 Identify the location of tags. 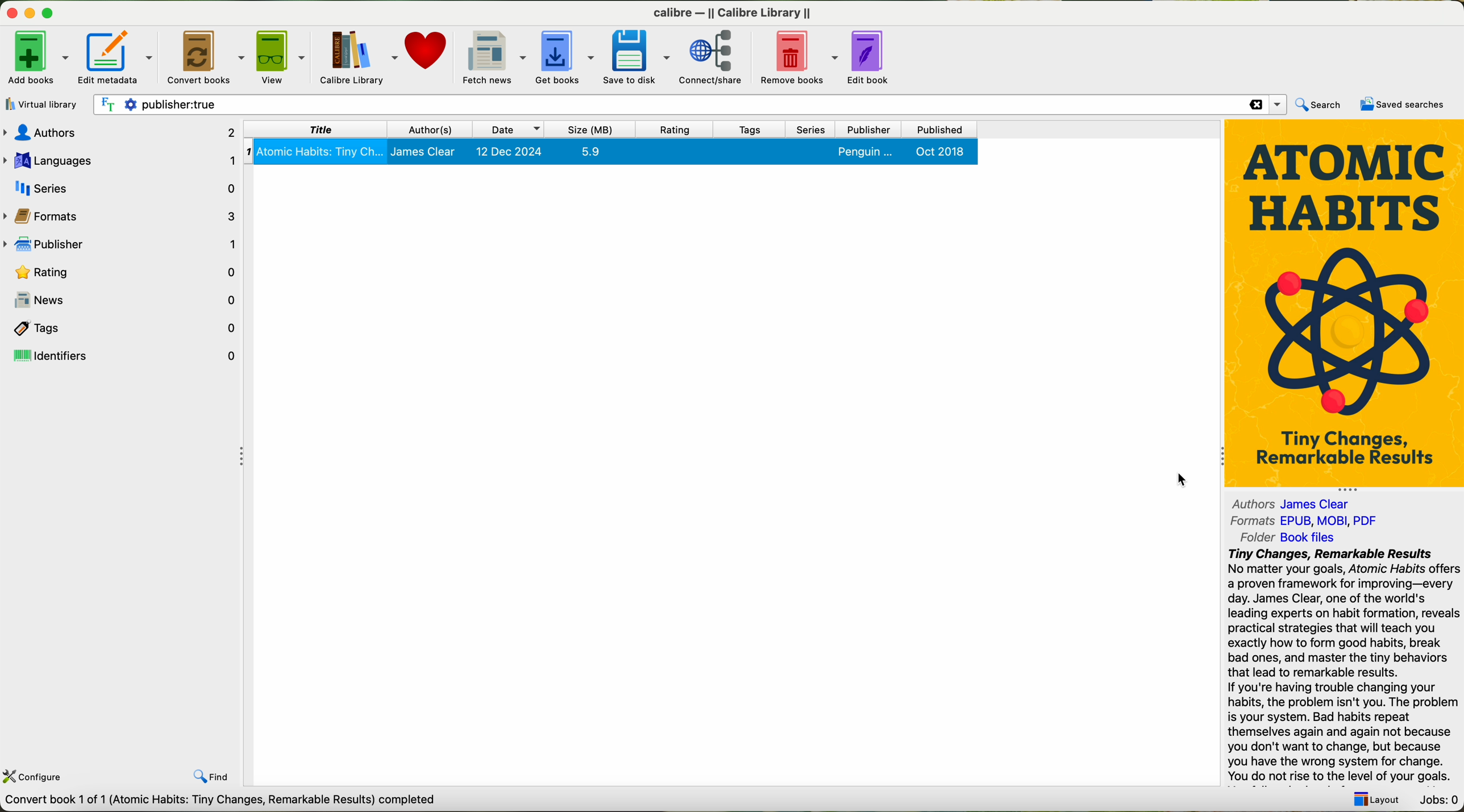
(124, 329).